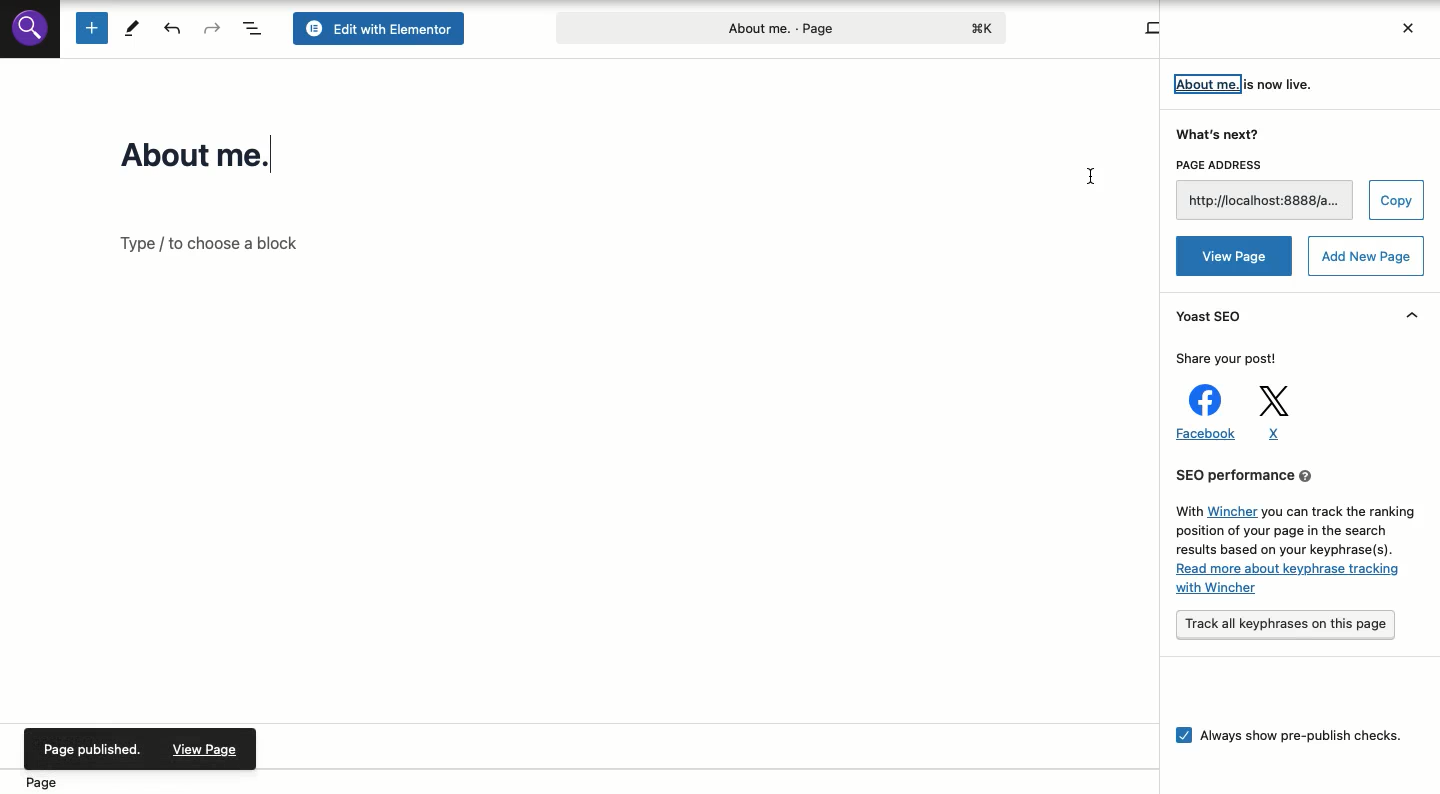  Describe the element at coordinates (1262, 199) in the screenshot. I see `http:/flocalhost:8888/a...` at that location.